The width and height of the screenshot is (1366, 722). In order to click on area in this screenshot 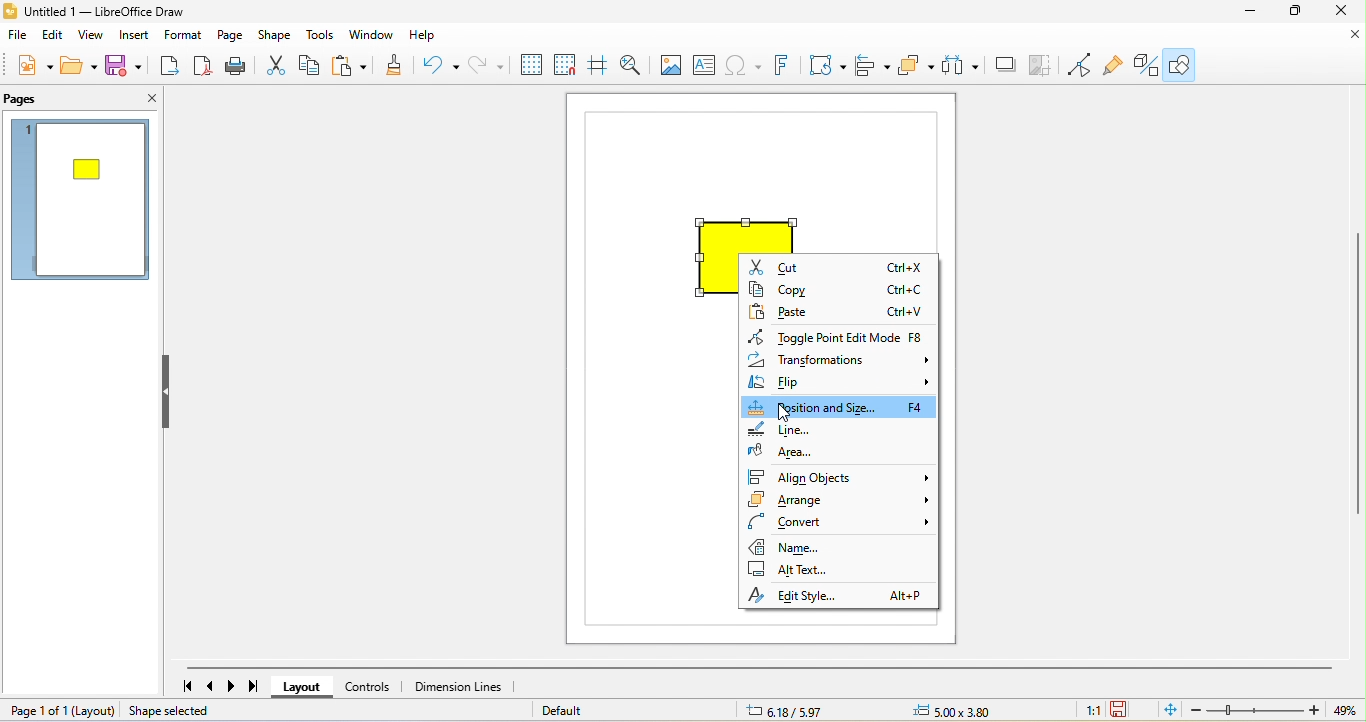, I will do `click(828, 454)`.